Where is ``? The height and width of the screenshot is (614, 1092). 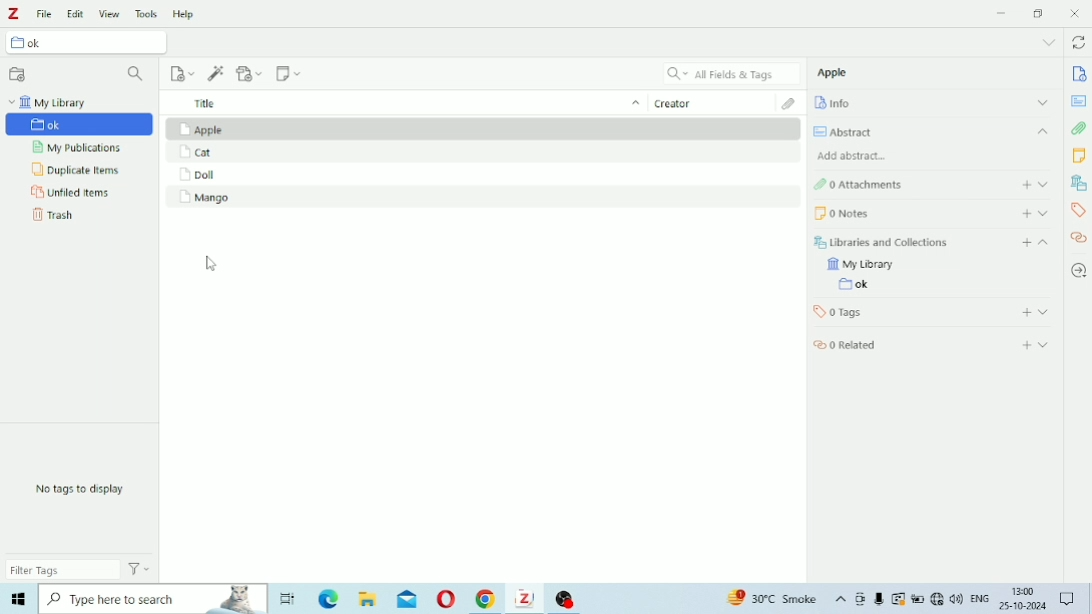  is located at coordinates (908, 599).